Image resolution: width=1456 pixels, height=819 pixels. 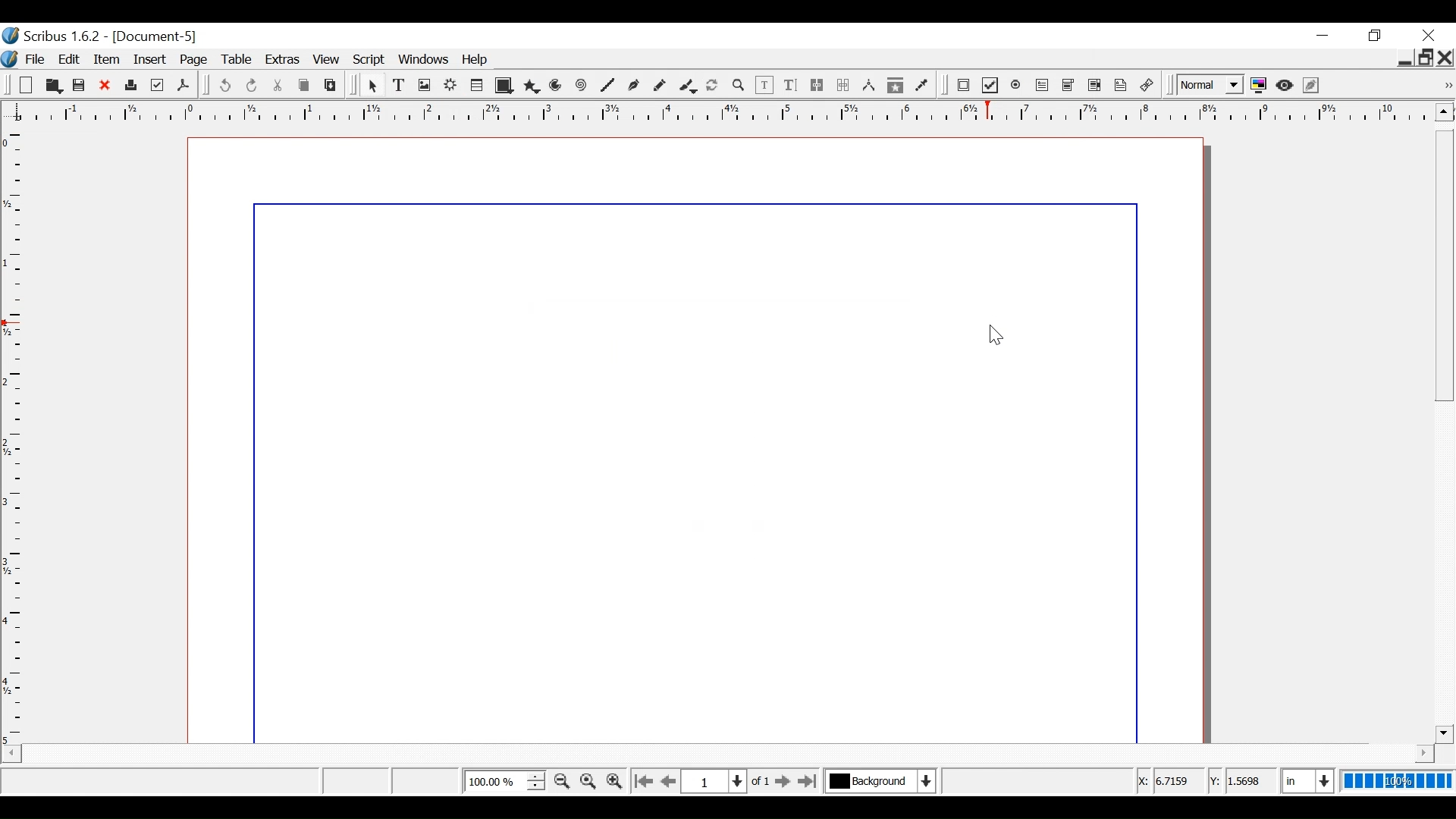 What do you see at coordinates (1444, 436) in the screenshot?
I see `Vertical Scroll bar` at bounding box center [1444, 436].